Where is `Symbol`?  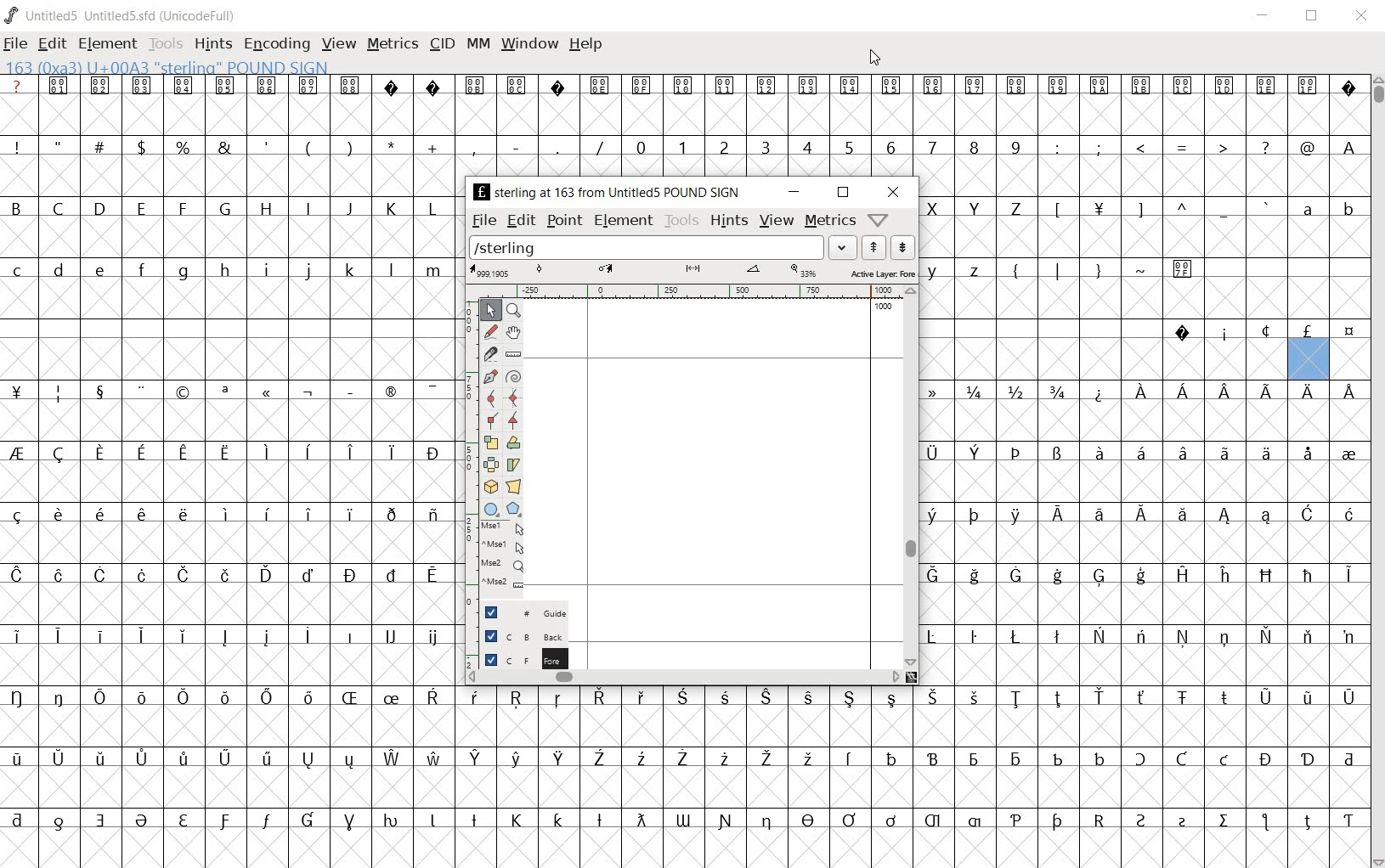
Symbol is located at coordinates (1263, 697).